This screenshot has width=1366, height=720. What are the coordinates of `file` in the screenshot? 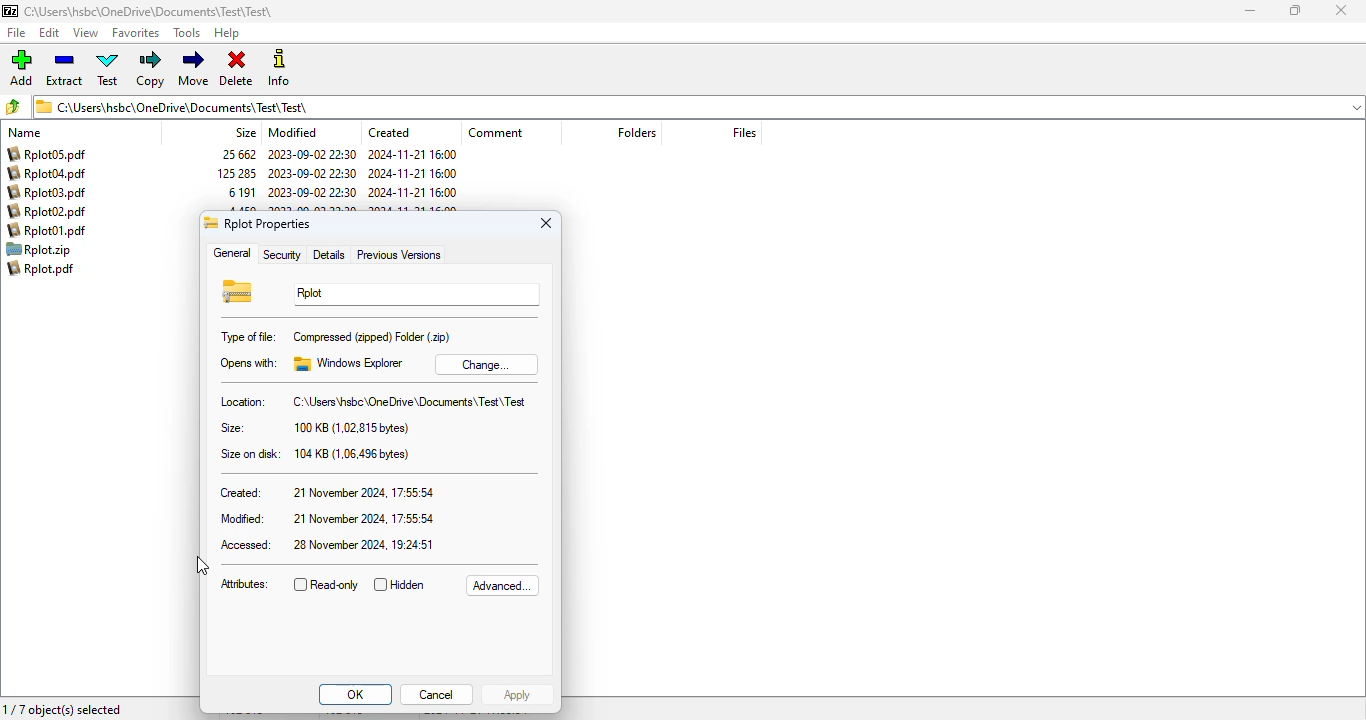 It's located at (17, 33).